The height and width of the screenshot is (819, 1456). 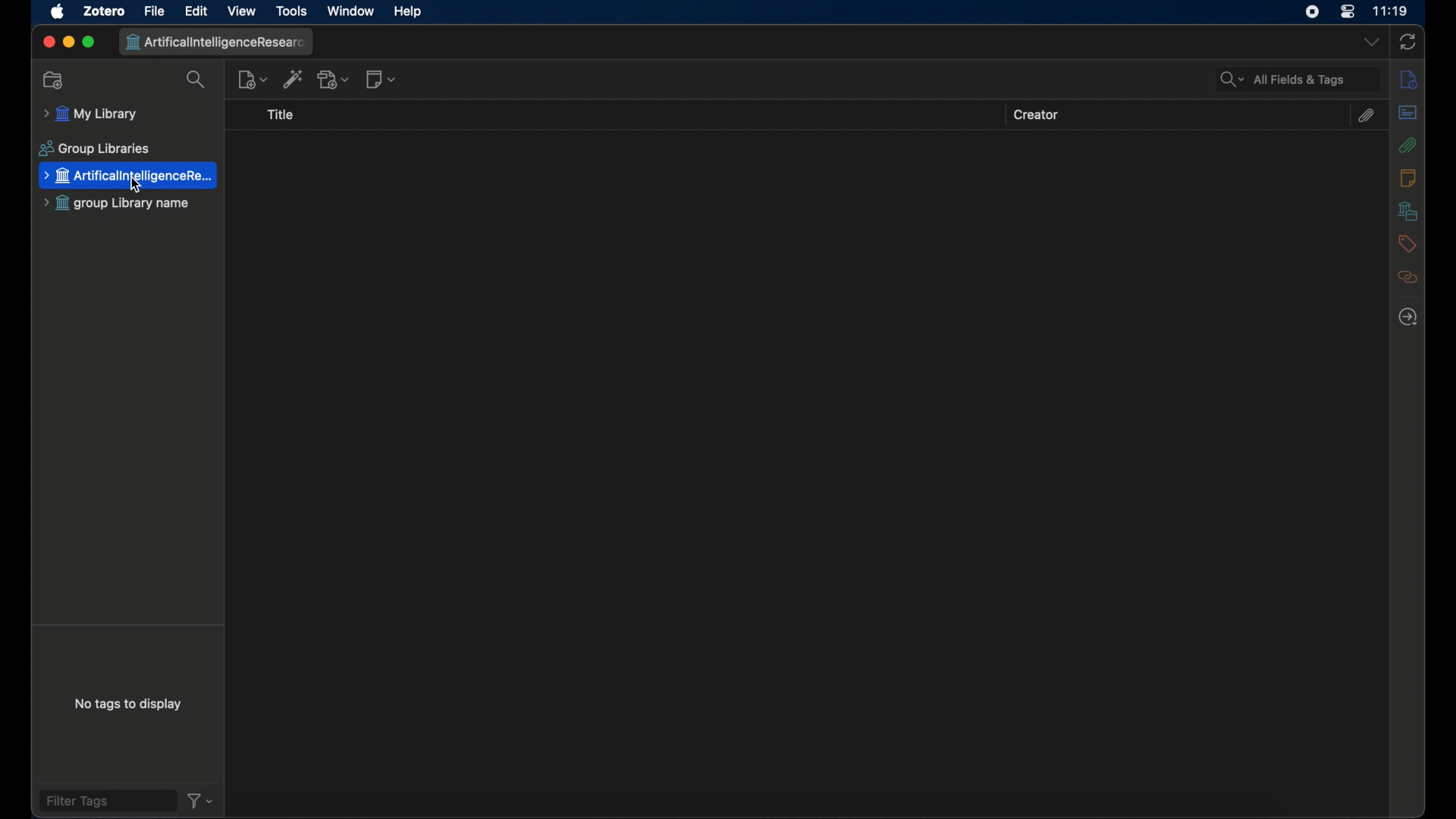 What do you see at coordinates (55, 81) in the screenshot?
I see `new collection` at bounding box center [55, 81].